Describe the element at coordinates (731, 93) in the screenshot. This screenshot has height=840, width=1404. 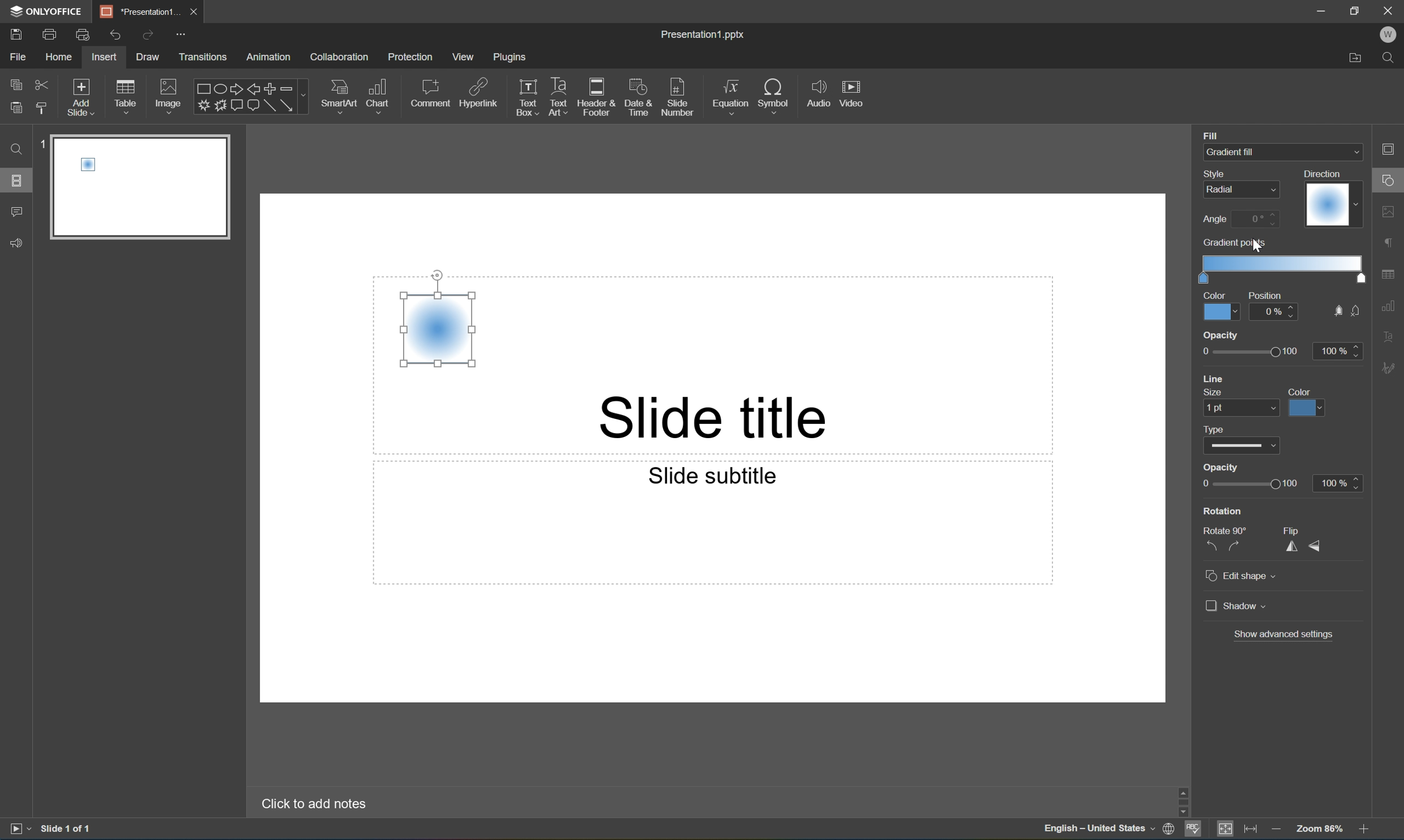
I see `Equation` at that location.